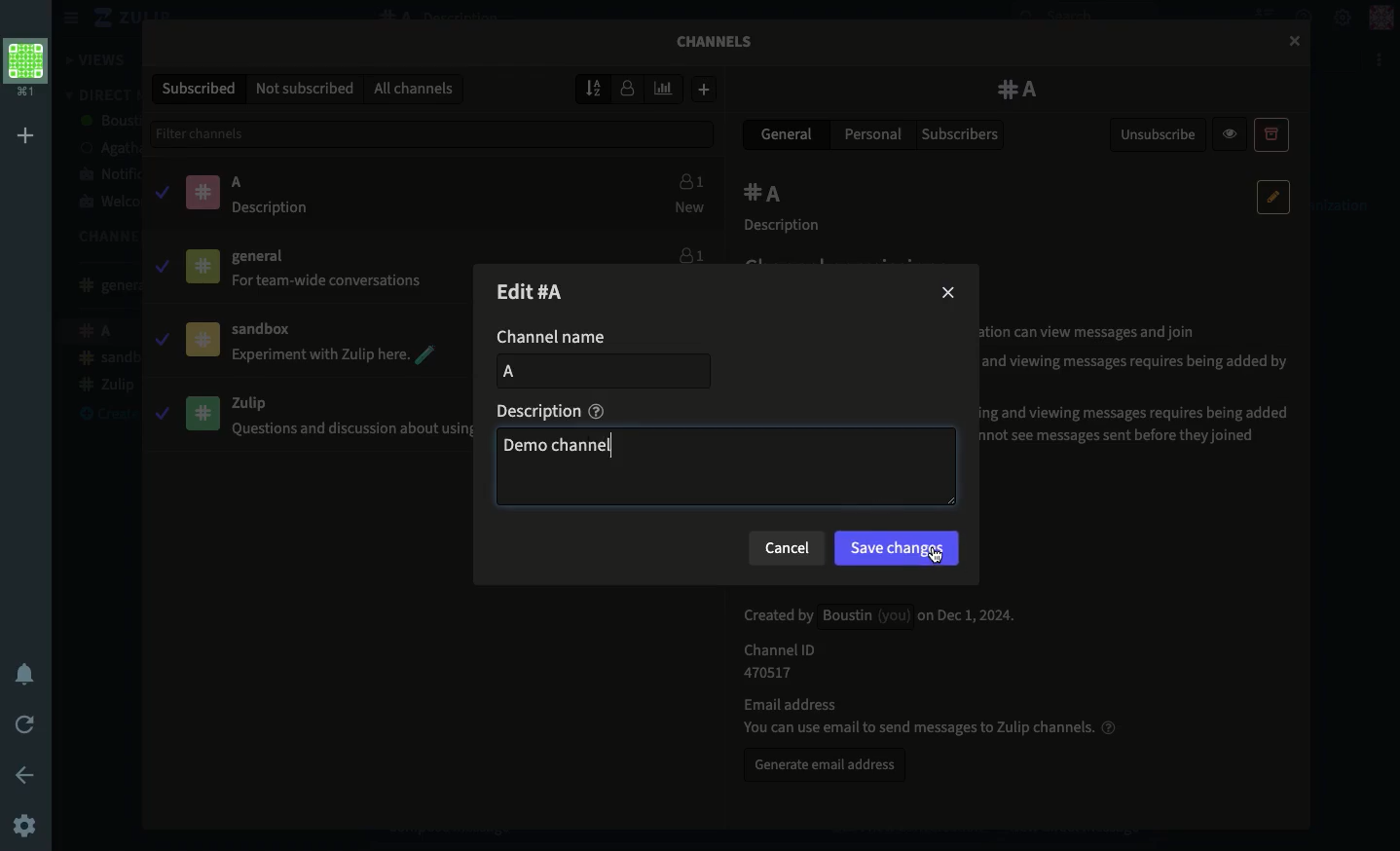 This screenshot has width=1400, height=851. I want to click on Close, so click(946, 296).